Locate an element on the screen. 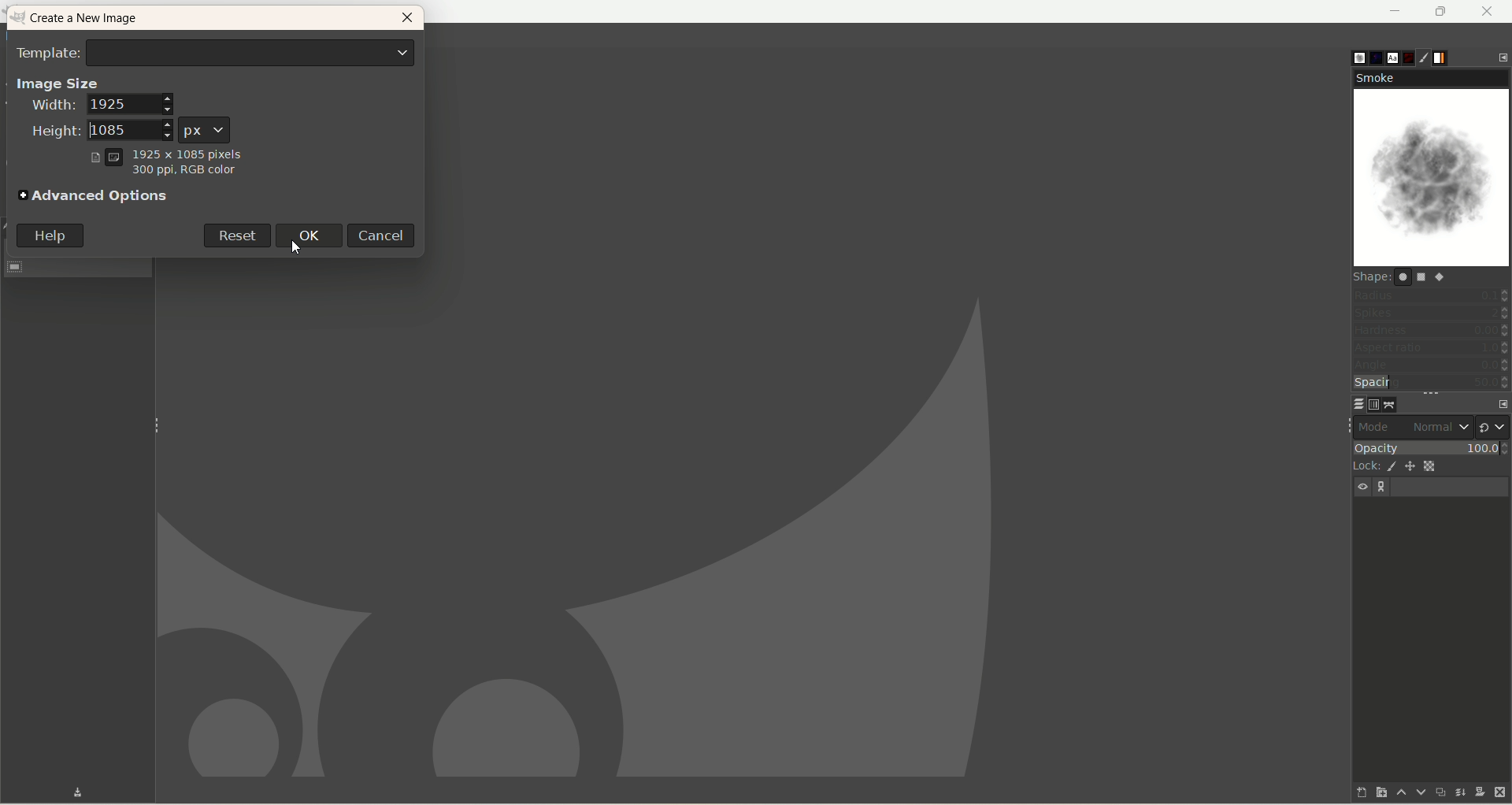 The image size is (1512, 805). image size is located at coordinates (57, 82).